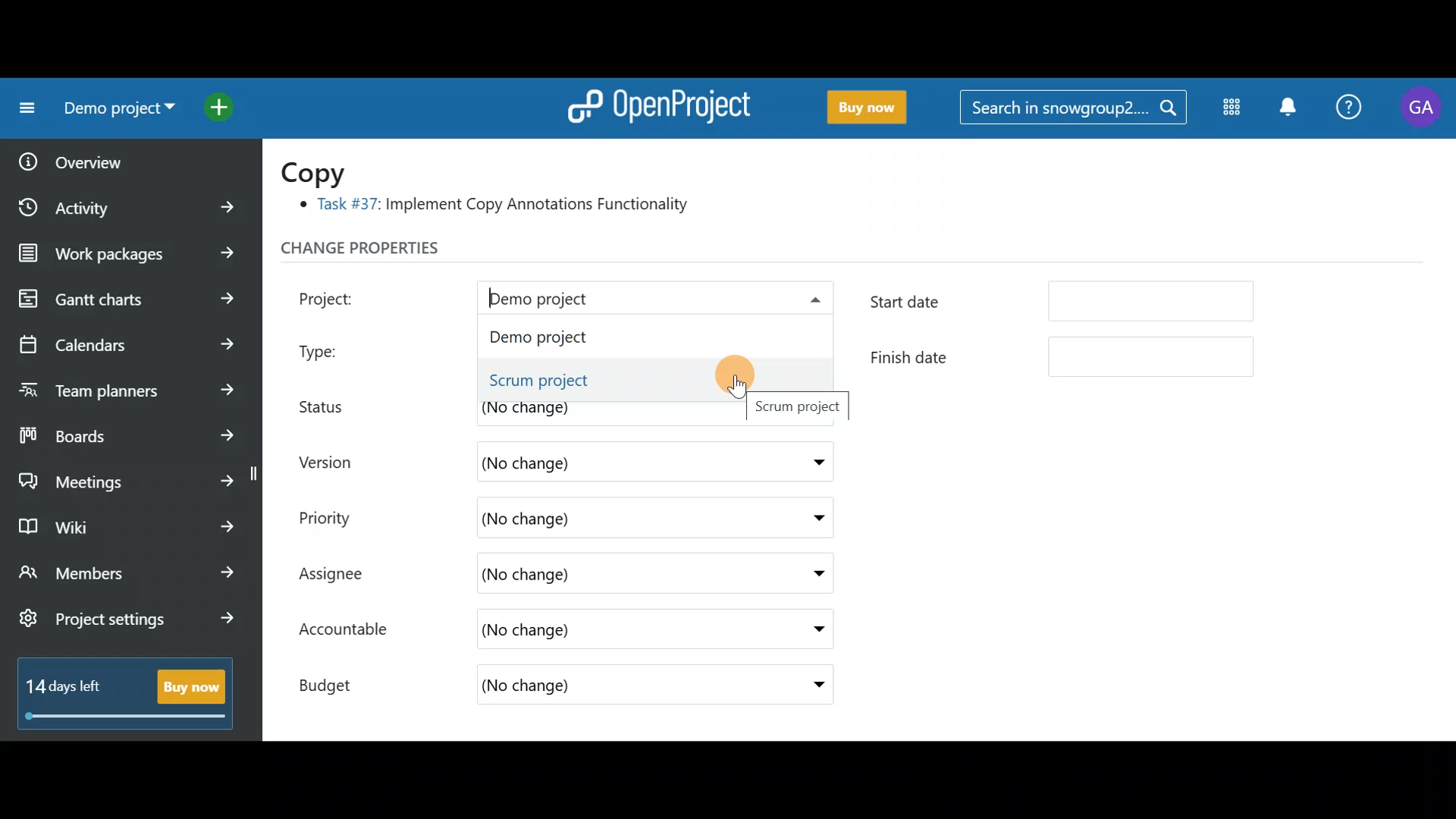 The width and height of the screenshot is (1456, 819). Describe the element at coordinates (115, 157) in the screenshot. I see `Overview` at that location.